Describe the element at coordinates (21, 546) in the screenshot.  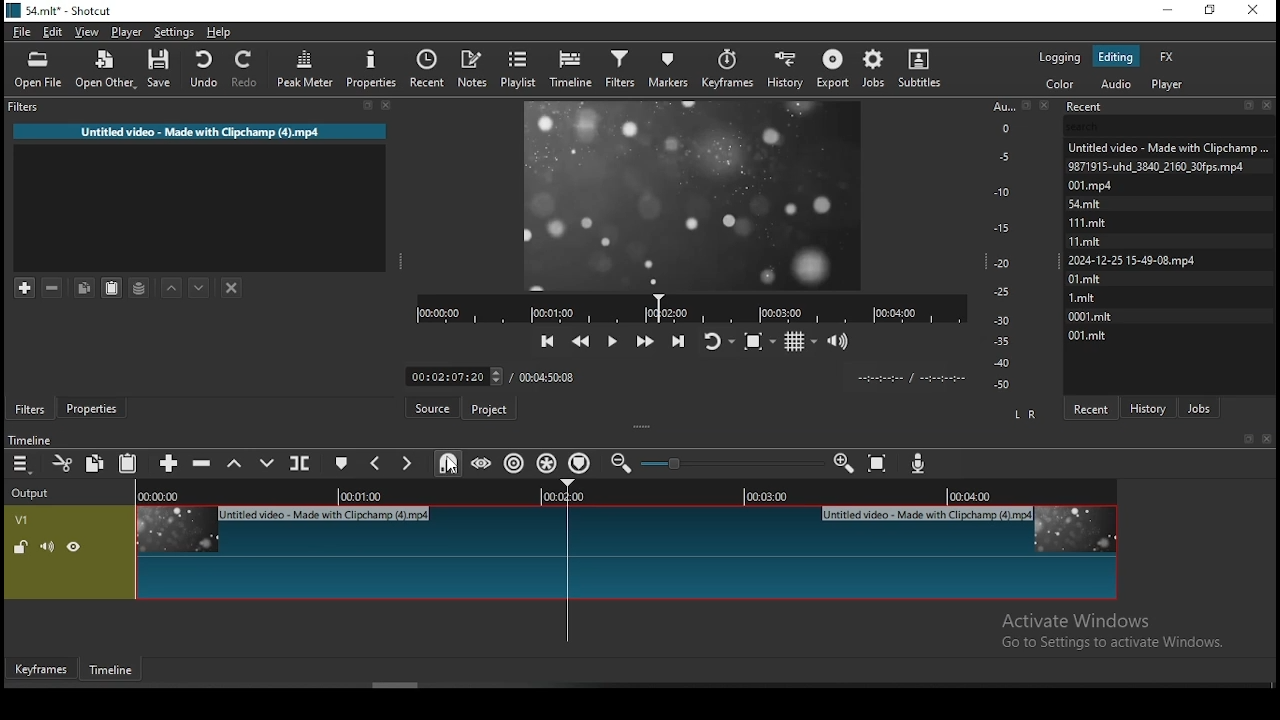
I see `(Un)lock` at that location.